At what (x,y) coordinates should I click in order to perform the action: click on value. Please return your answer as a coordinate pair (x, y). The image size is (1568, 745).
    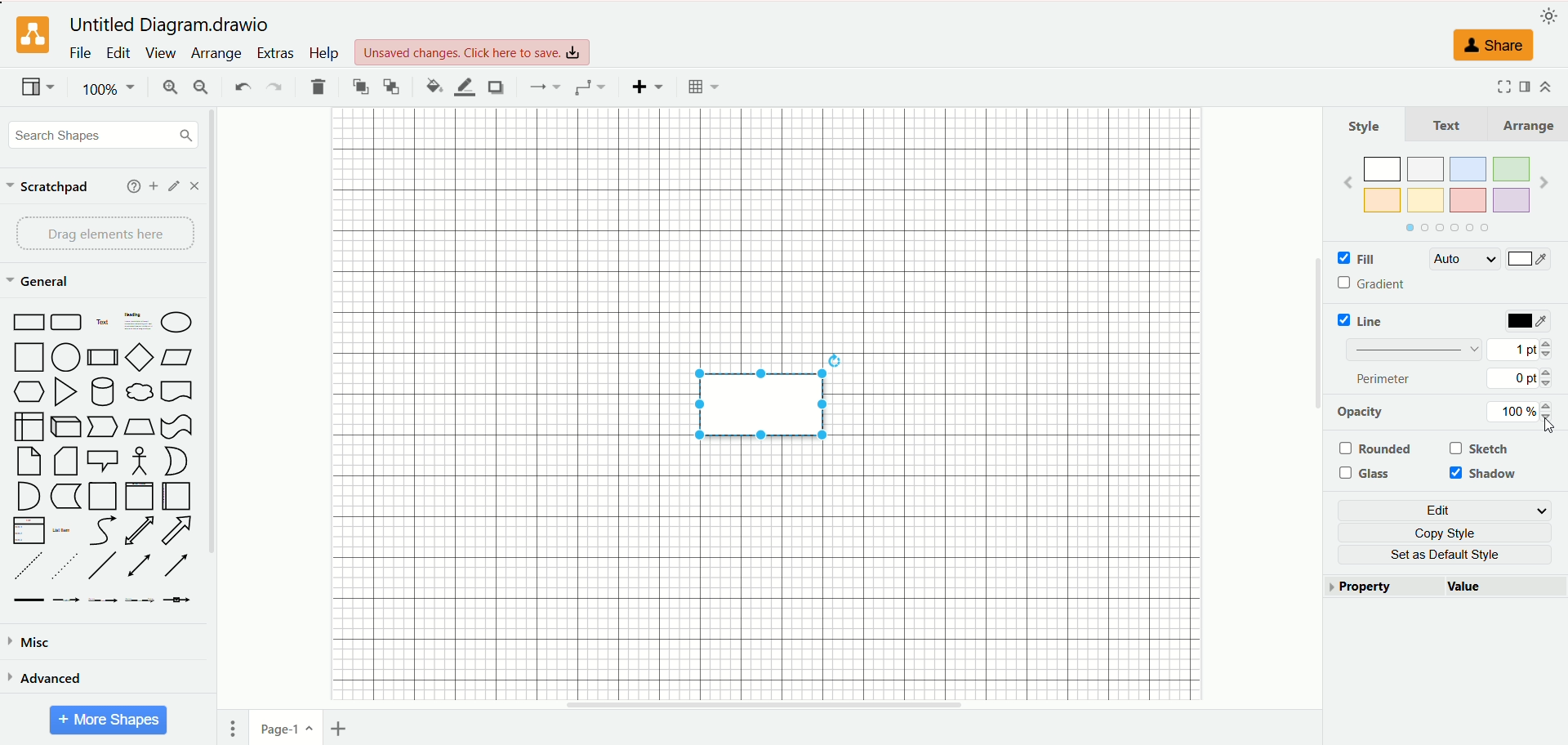
    Looking at the image, I should click on (1505, 588).